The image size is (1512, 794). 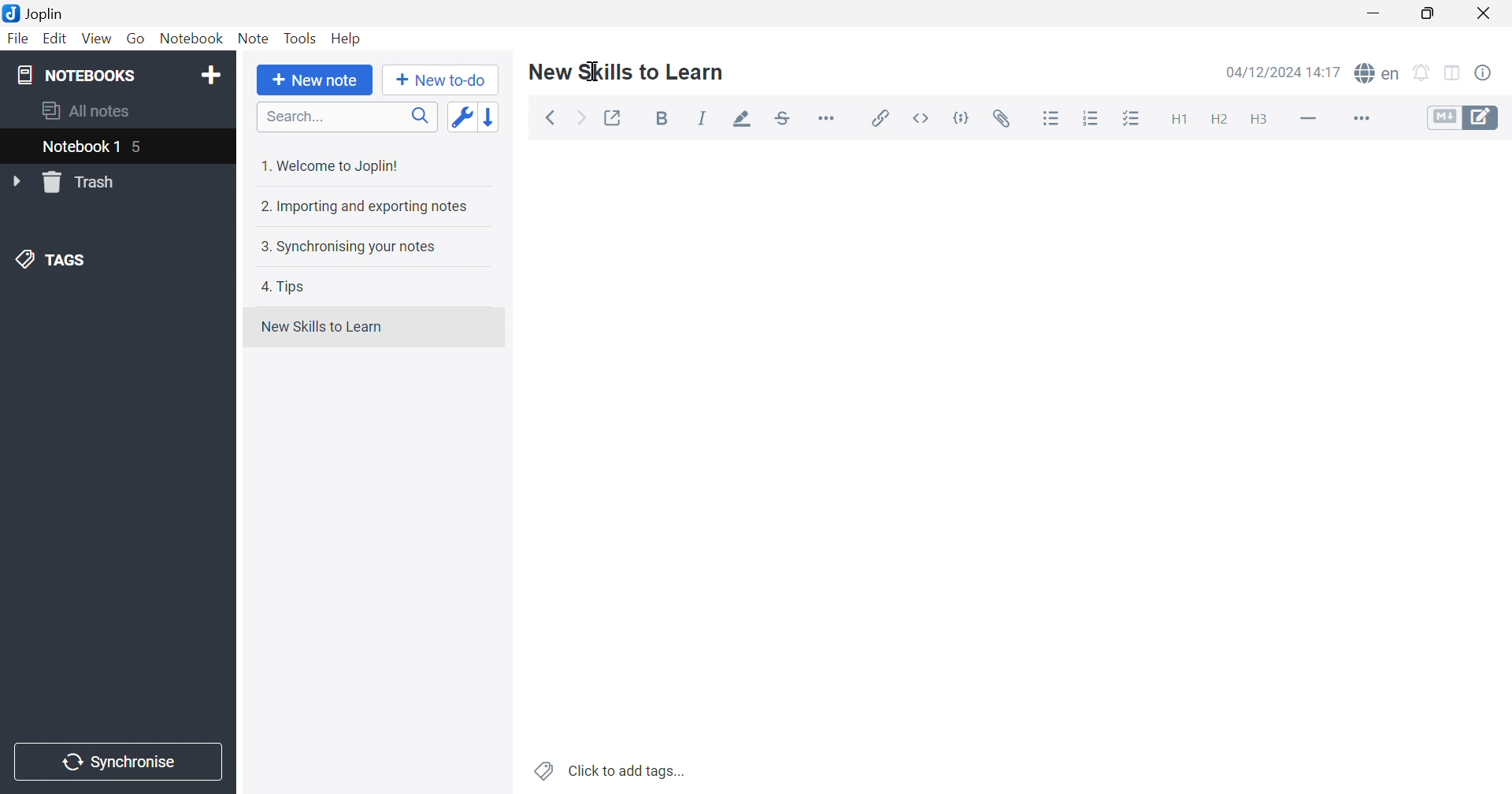 What do you see at coordinates (53, 39) in the screenshot?
I see `Edit` at bounding box center [53, 39].